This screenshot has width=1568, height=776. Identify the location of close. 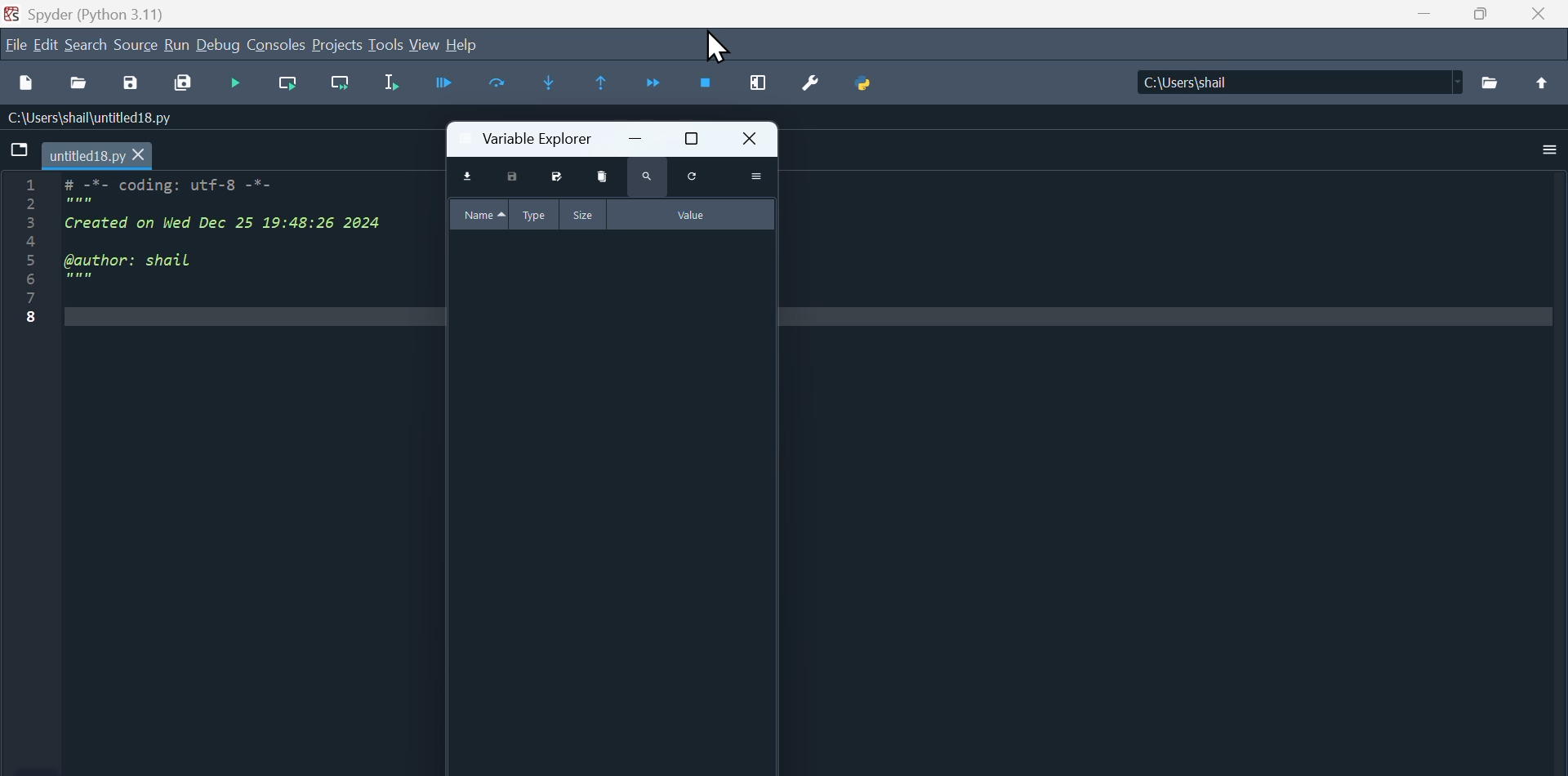
(746, 139).